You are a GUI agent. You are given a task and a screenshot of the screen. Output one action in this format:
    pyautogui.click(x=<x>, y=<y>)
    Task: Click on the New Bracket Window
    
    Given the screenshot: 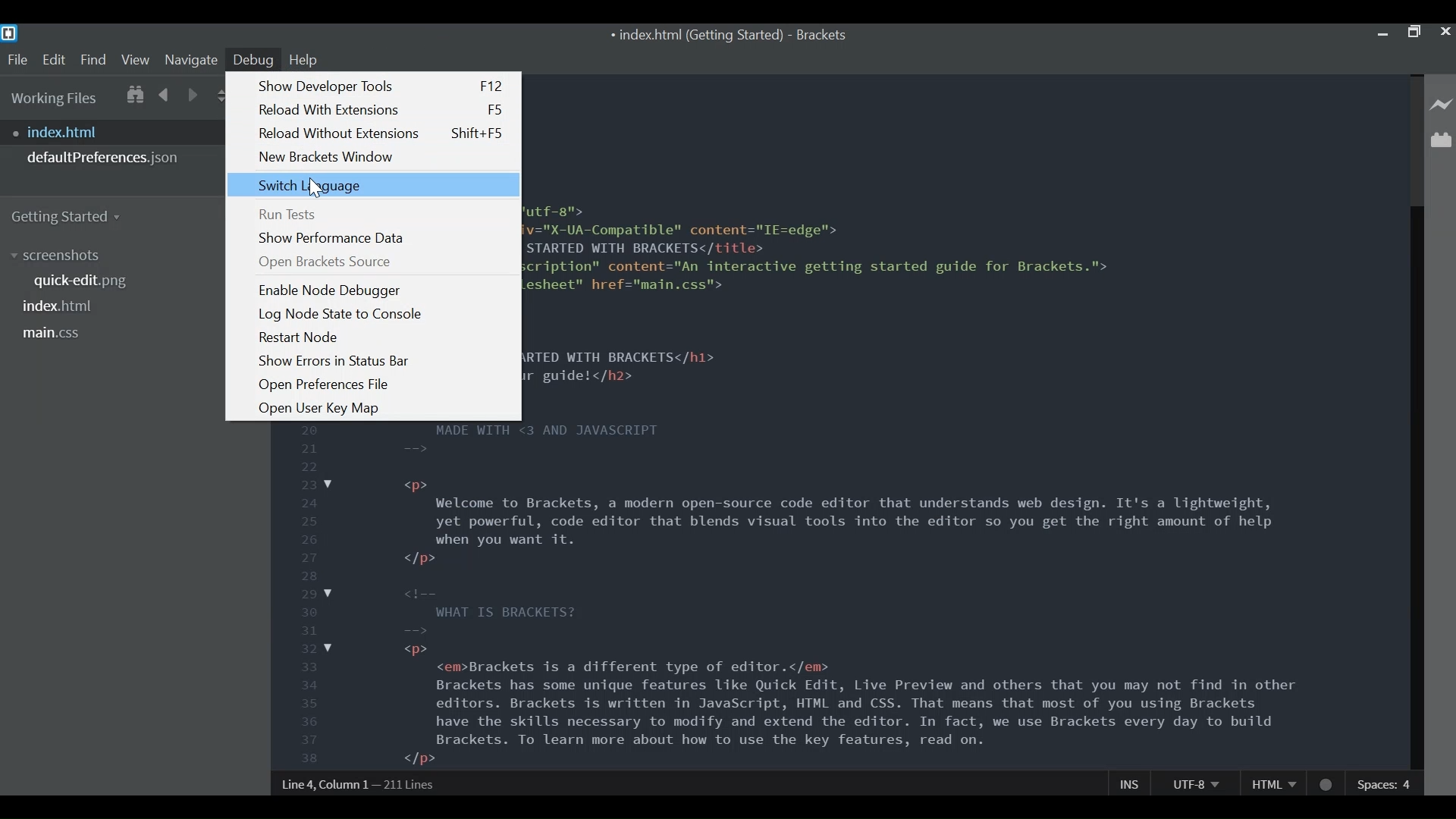 What is the action you would take?
    pyautogui.click(x=328, y=156)
    